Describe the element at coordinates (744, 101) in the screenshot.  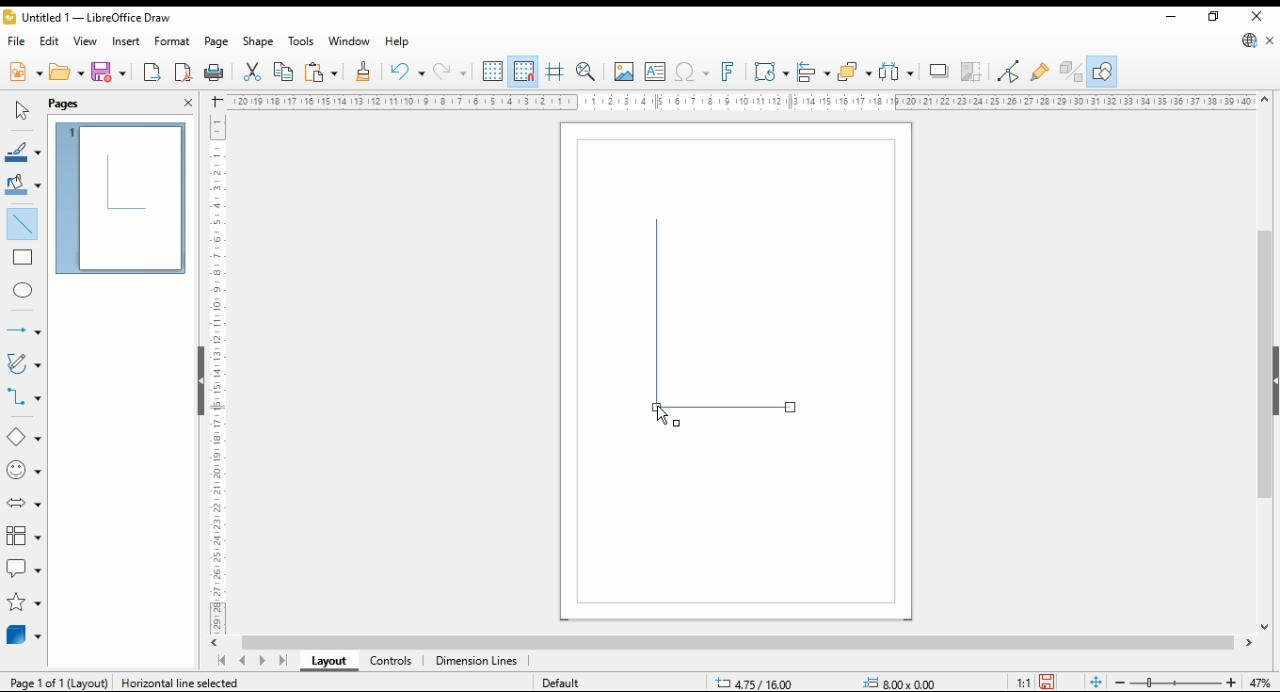
I see `horizontall scale` at that location.